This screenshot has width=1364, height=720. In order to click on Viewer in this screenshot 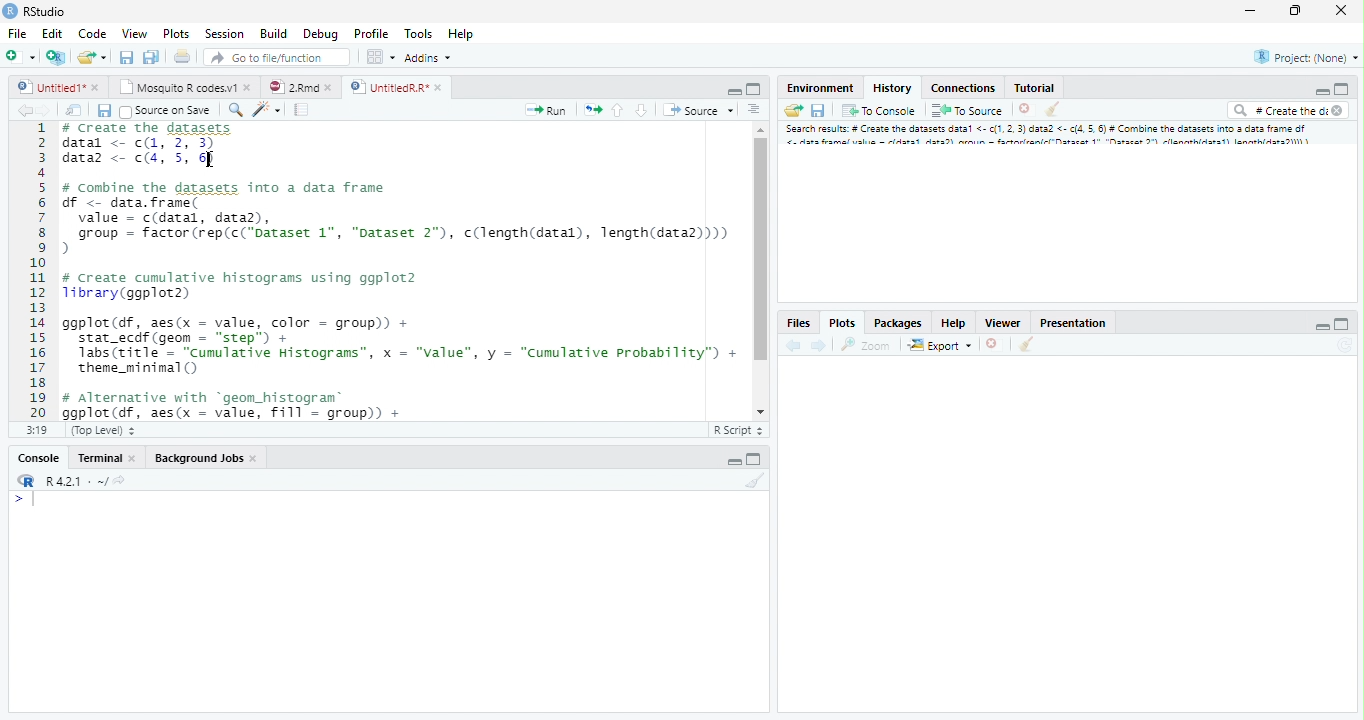, I will do `click(1002, 323)`.